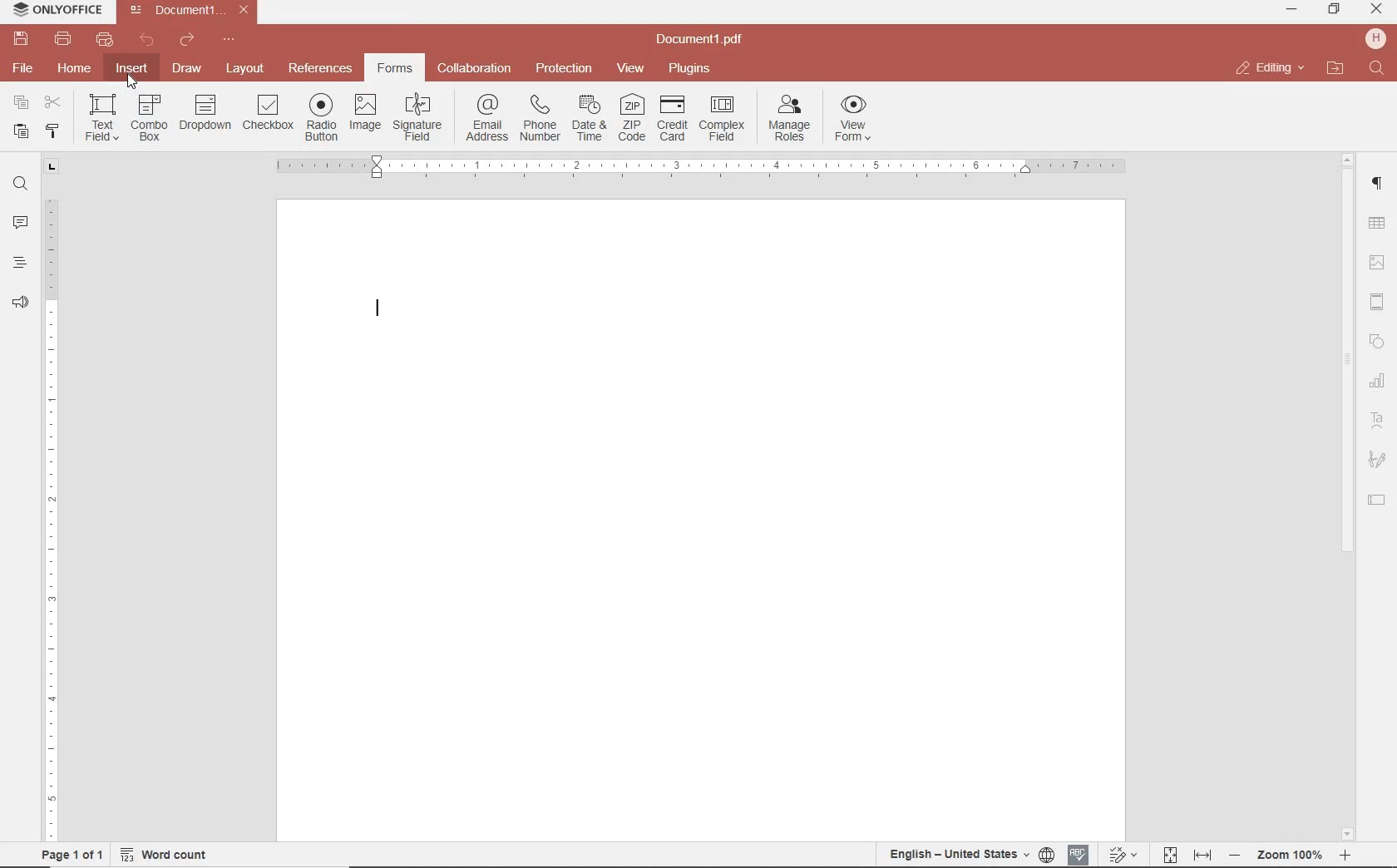 The width and height of the screenshot is (1397, 868). I want to click on customize quick access toolbar, so click(229, 40).